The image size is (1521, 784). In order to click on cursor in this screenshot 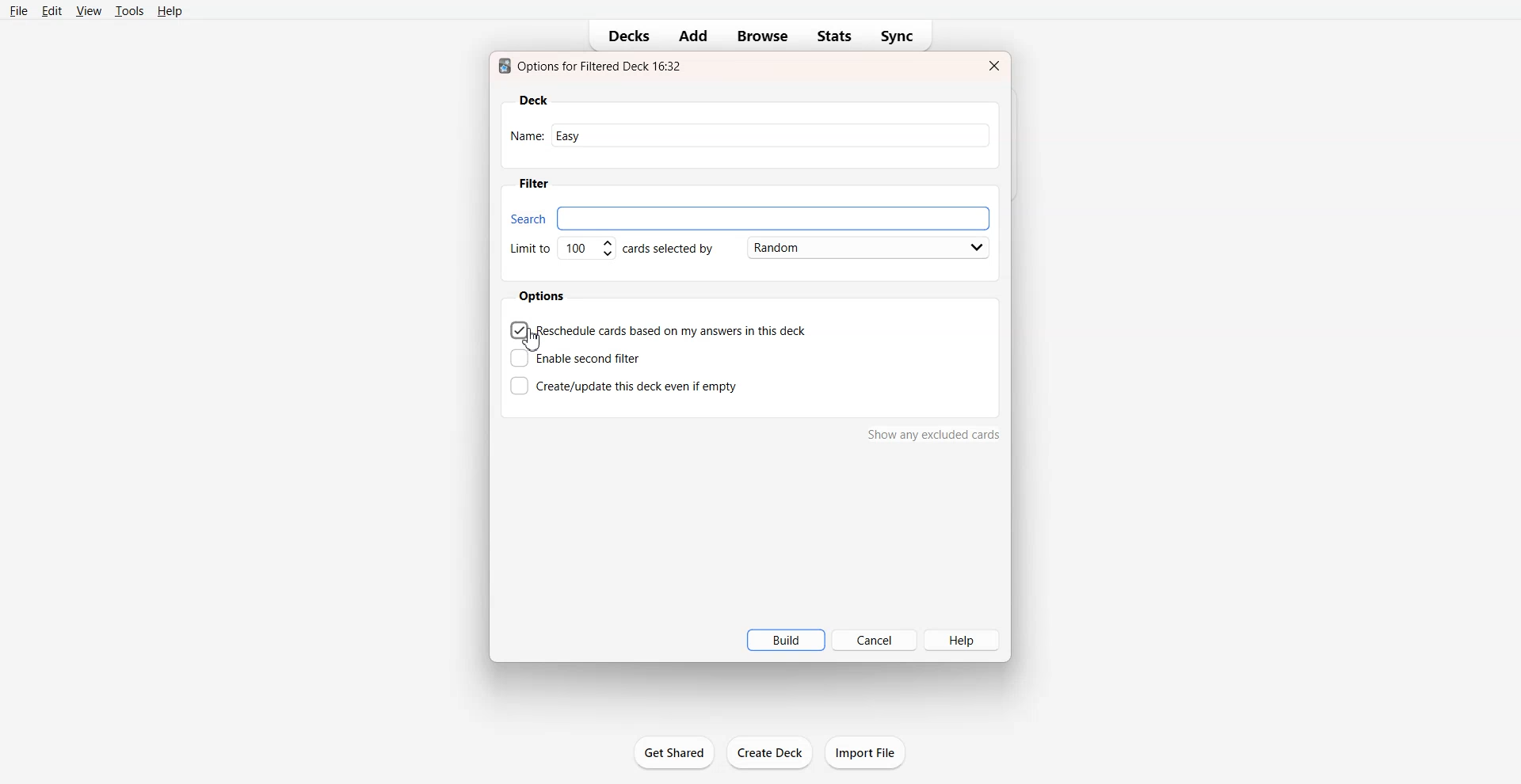, I will do `click(533, 341)`.